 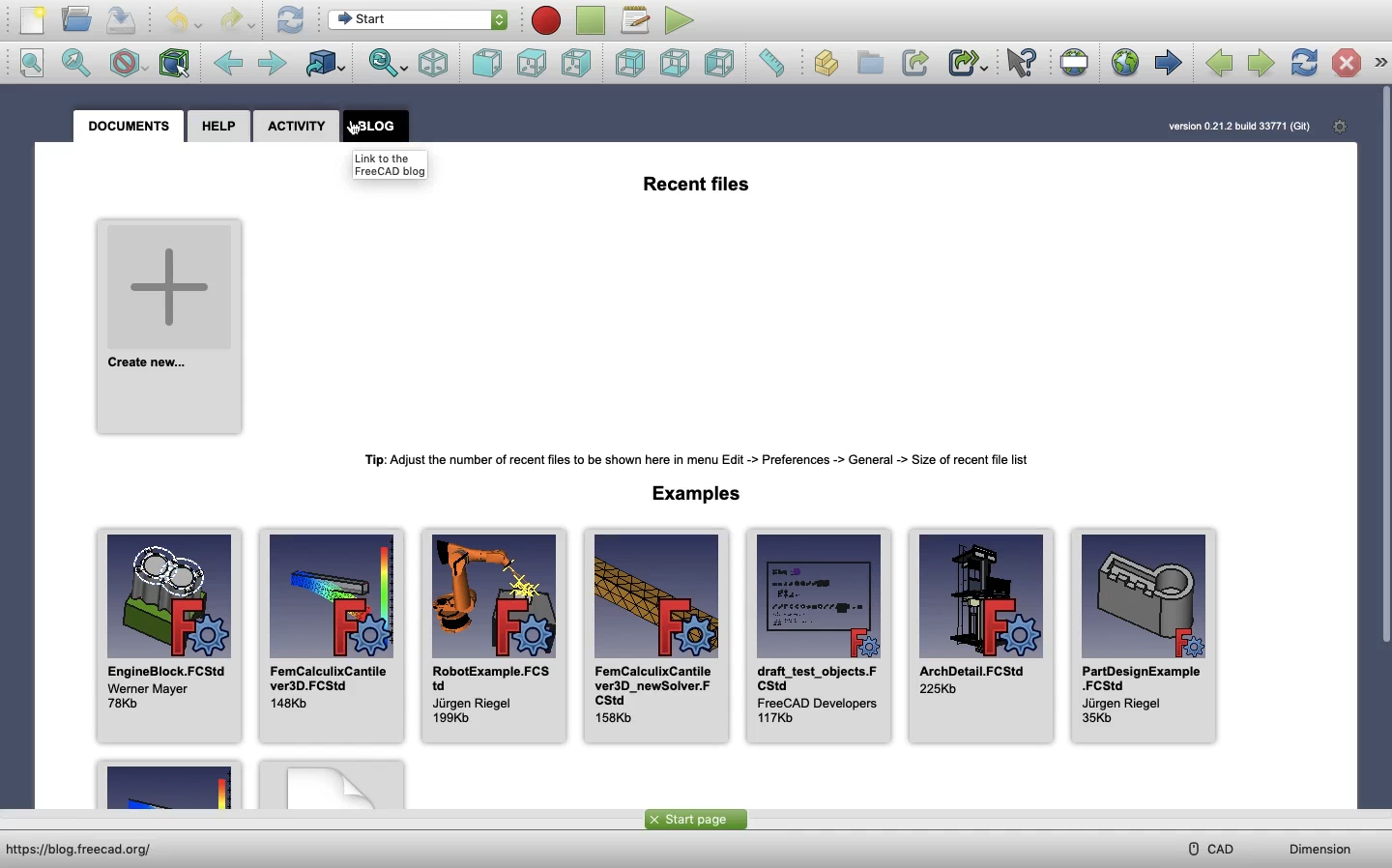 What do you see at coordinates (576, 64) in the screenshot?
I see `Right` at bounding box center [576, 64].